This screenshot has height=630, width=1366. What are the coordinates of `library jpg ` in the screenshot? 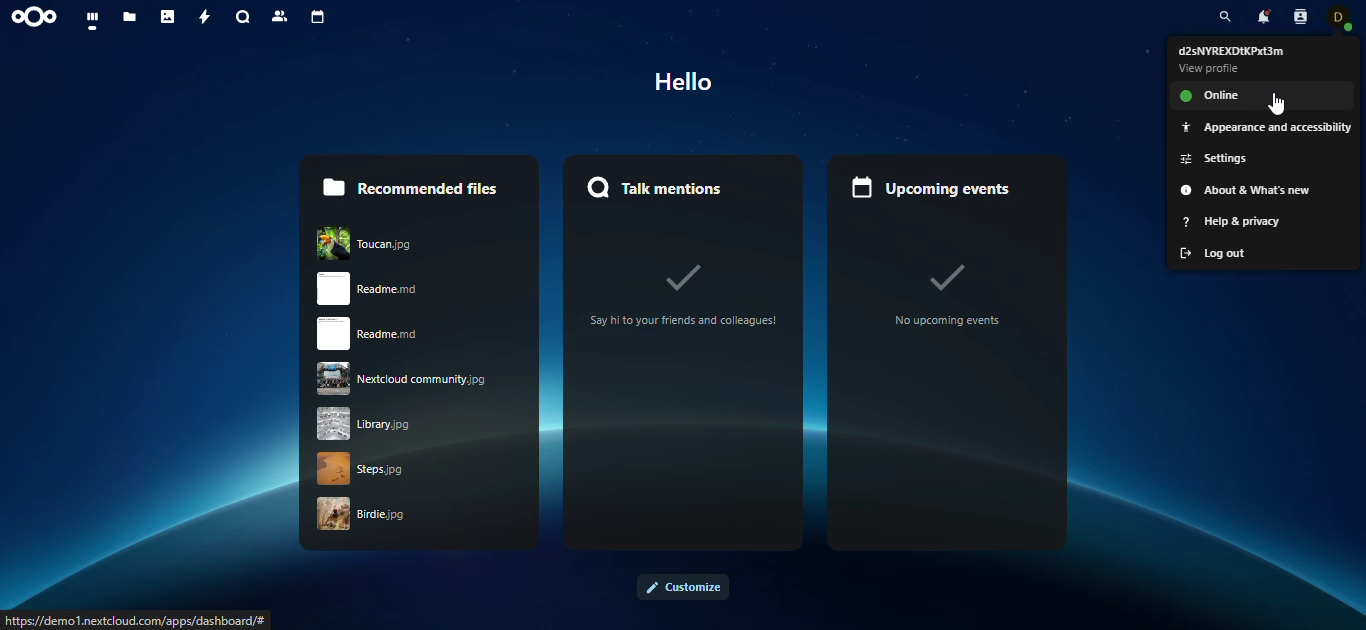 It's located at (402, 424).